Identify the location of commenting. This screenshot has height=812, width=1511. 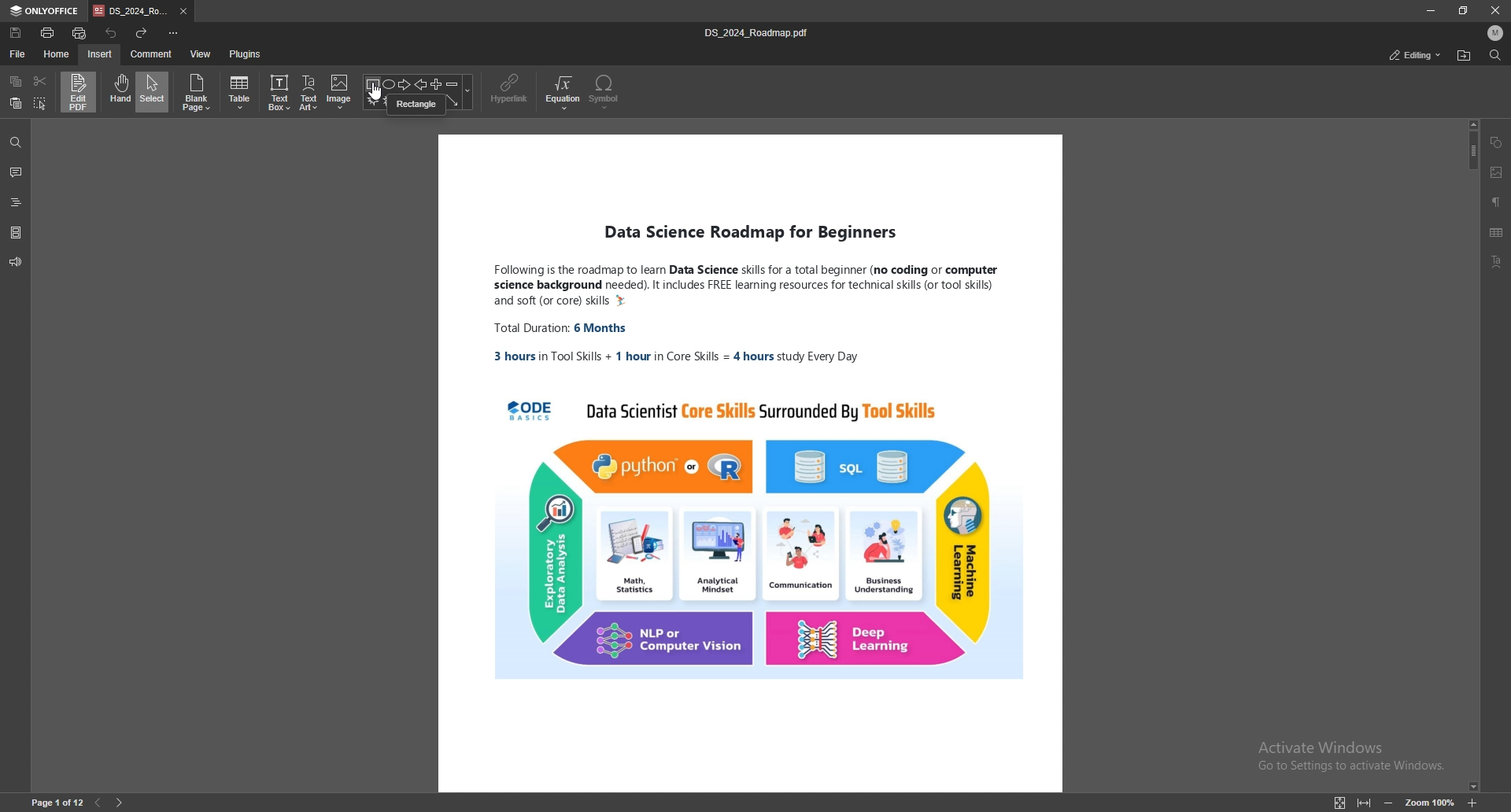
(1403, 54).